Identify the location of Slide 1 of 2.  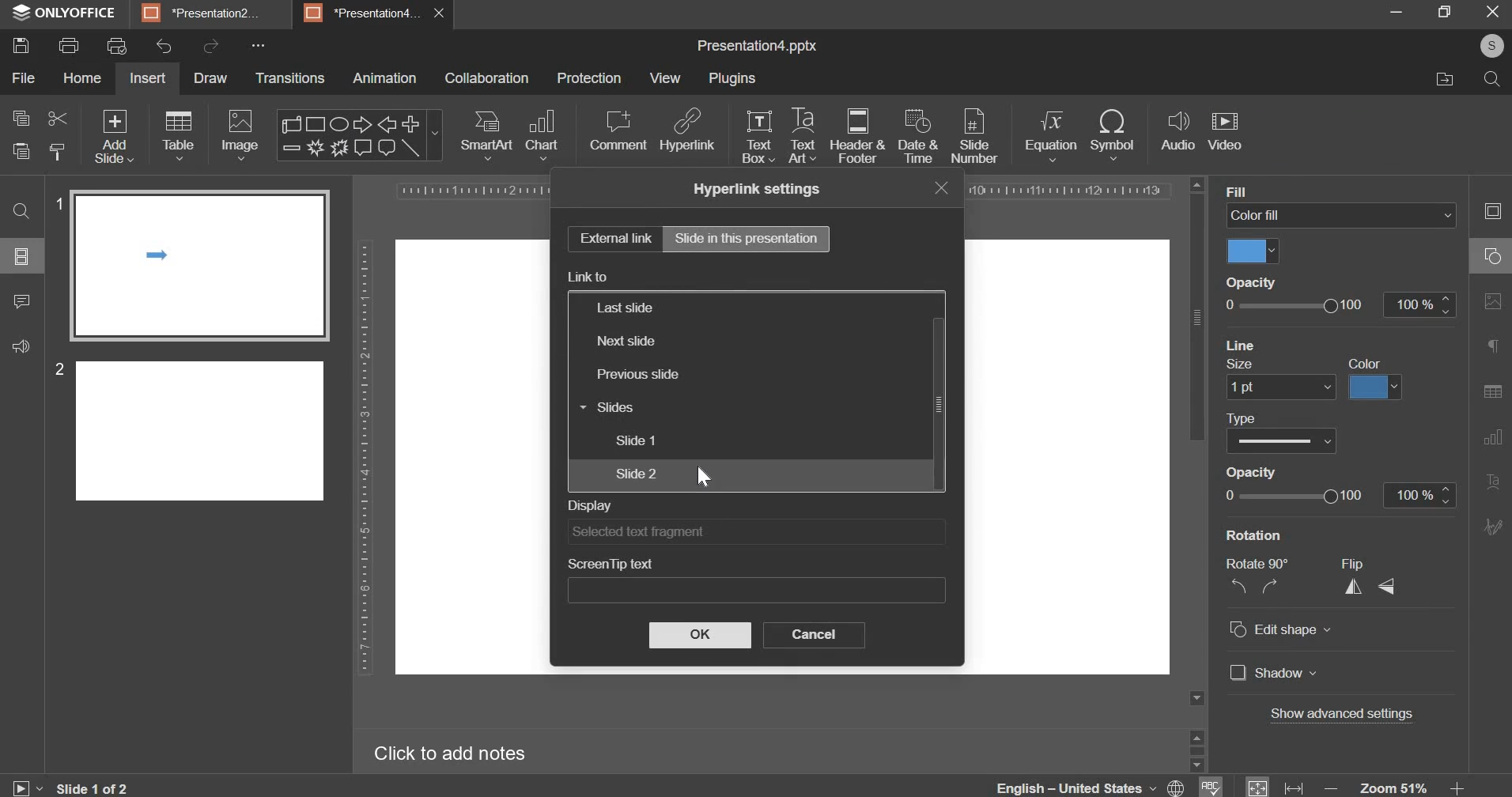
(101, 785).